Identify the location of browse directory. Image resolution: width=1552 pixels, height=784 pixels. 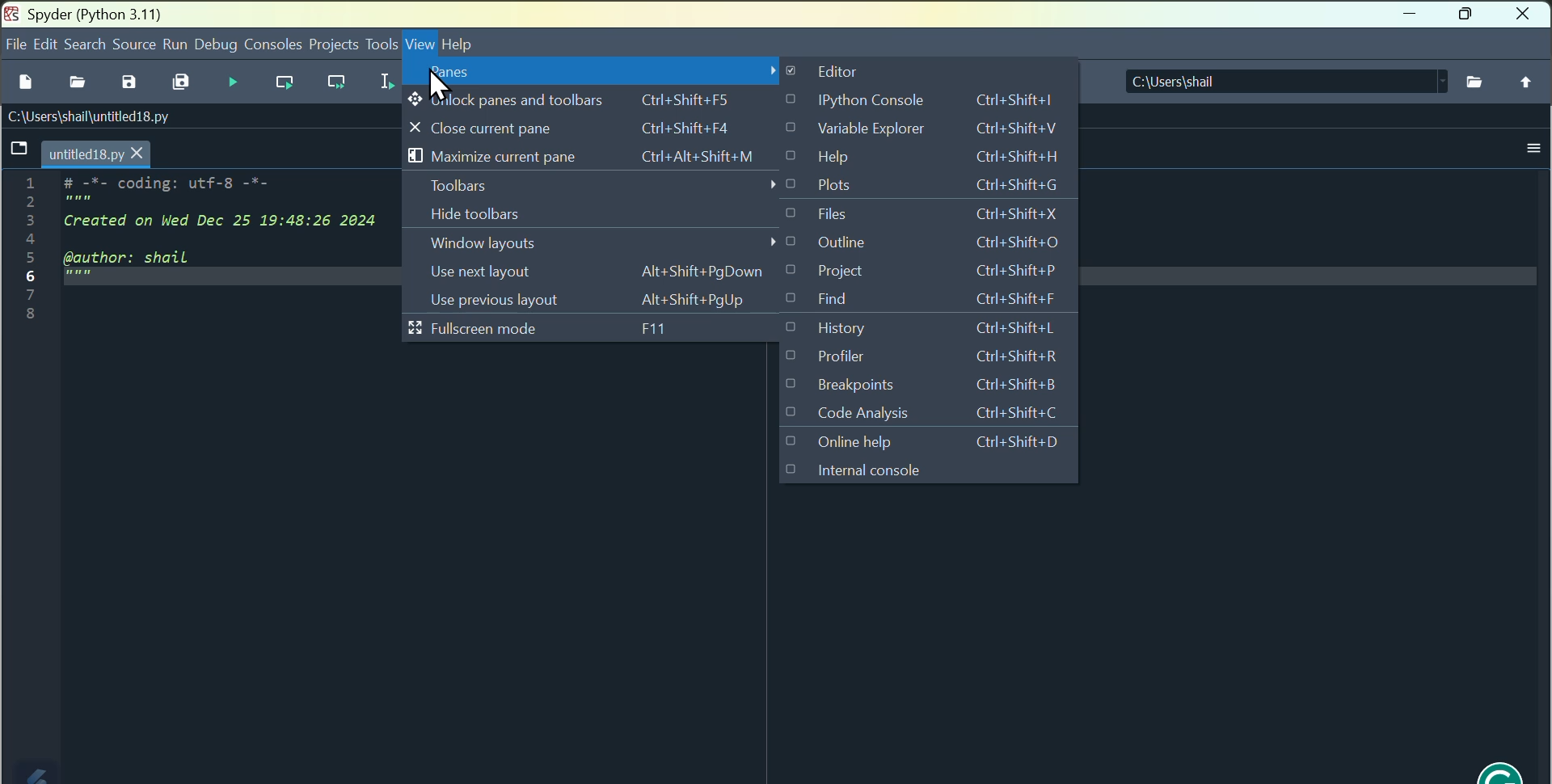
(1477, 81).